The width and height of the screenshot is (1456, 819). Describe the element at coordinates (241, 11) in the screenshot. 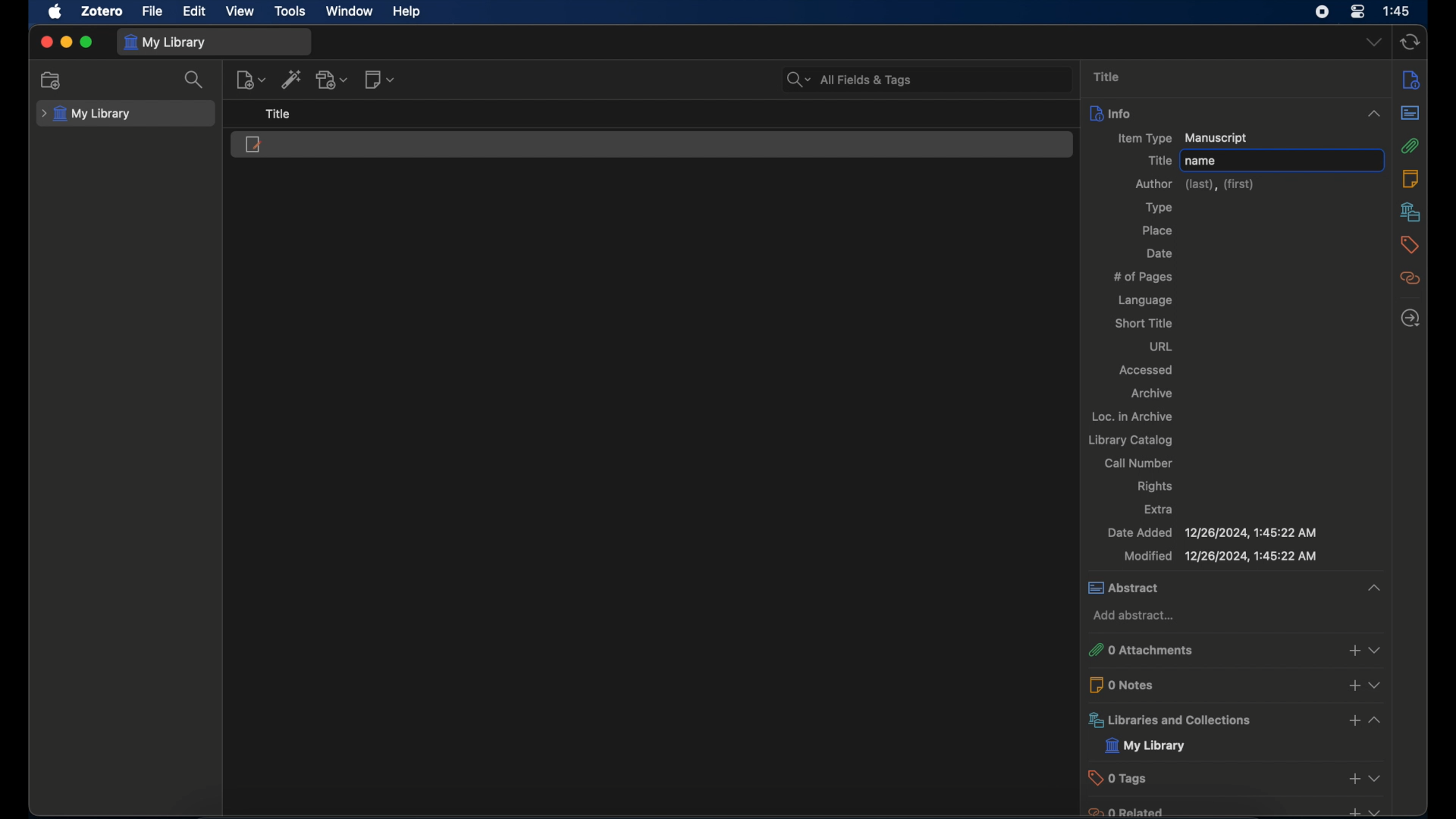

I see `view` at that location.